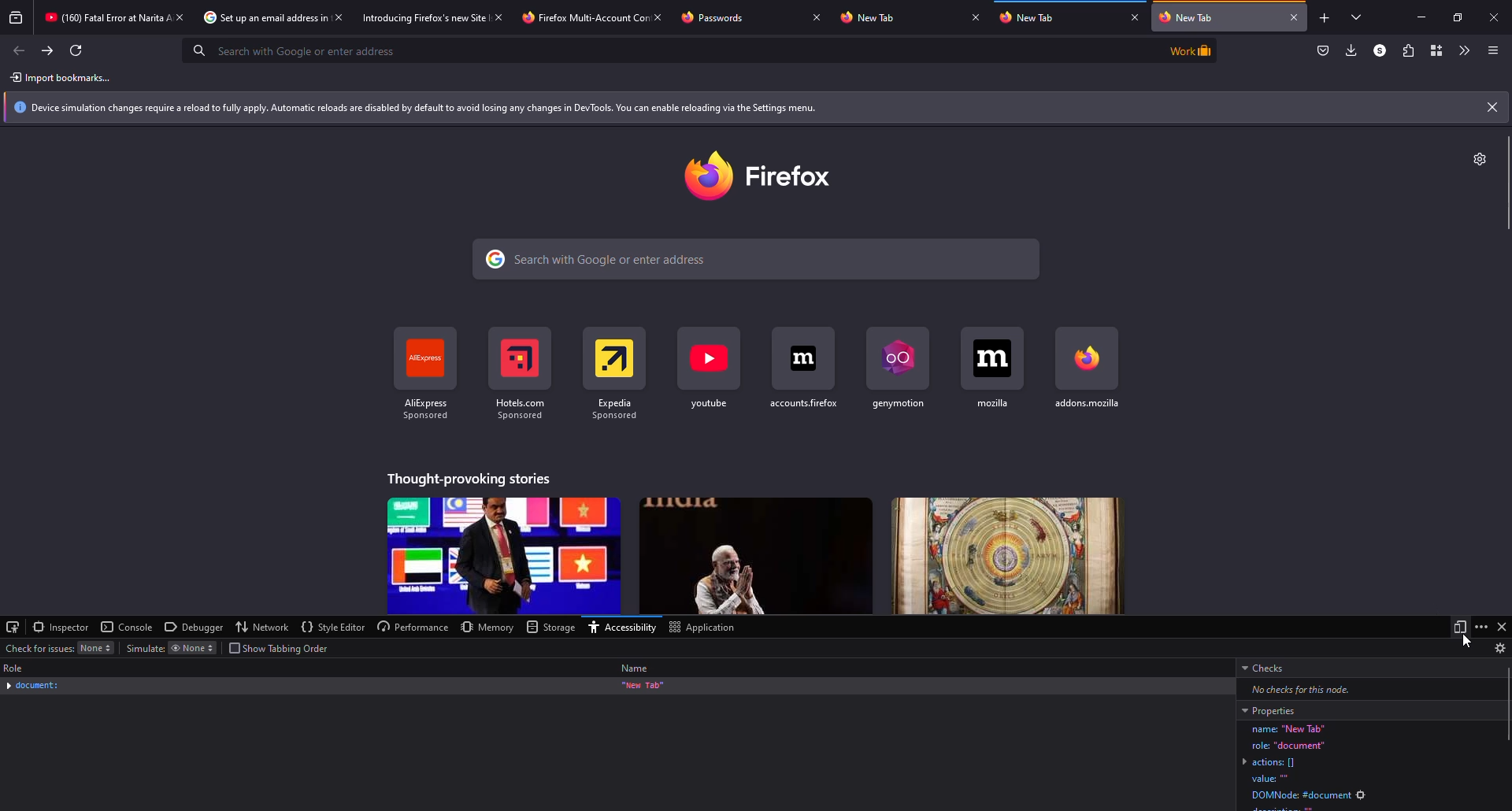 This screenshot has width=1512, height=811. I want to click on Story banner, so click(504, 556).